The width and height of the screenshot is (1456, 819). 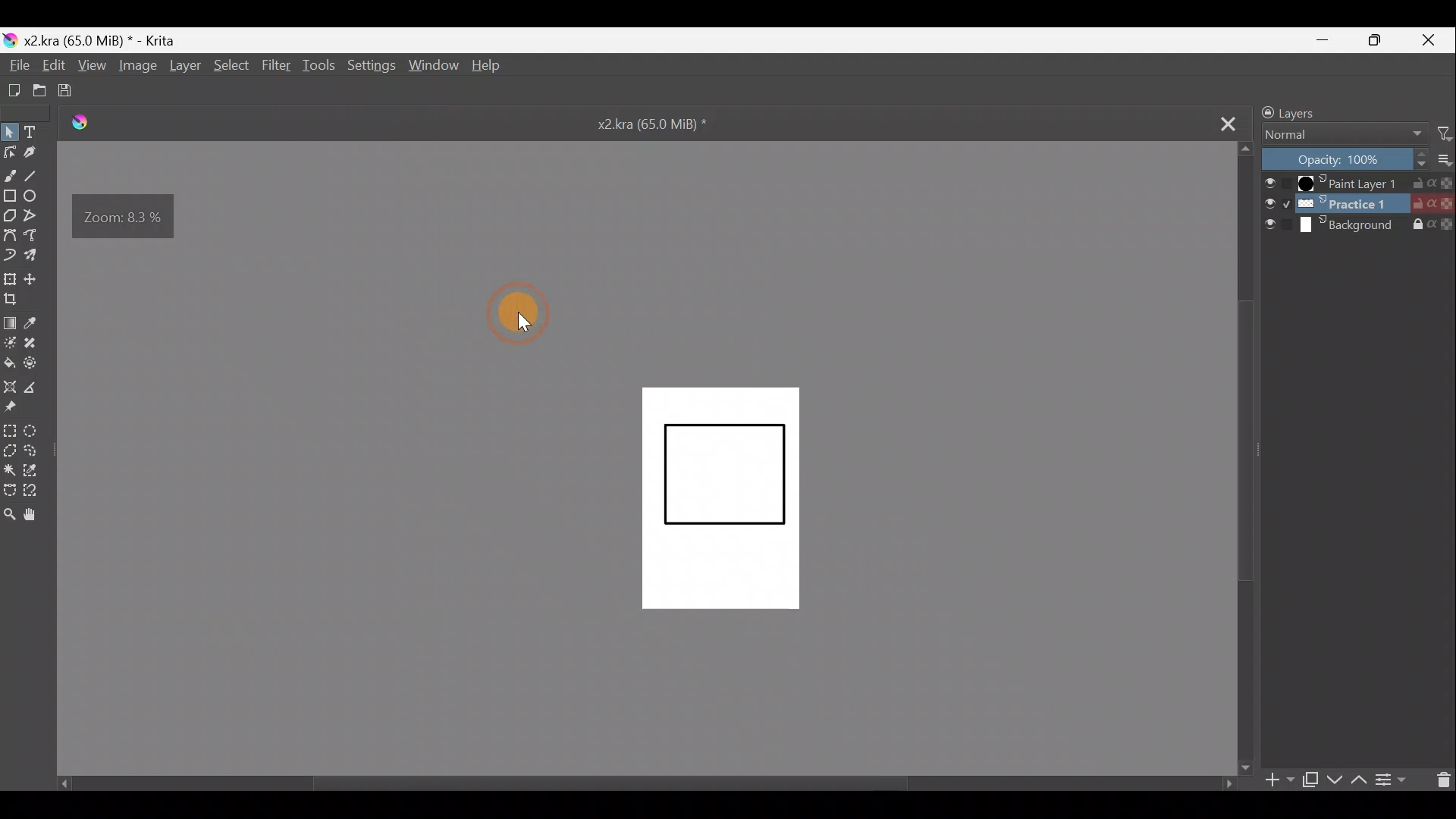 I want to click on Draw a gradient, so click(x=12, y=322).